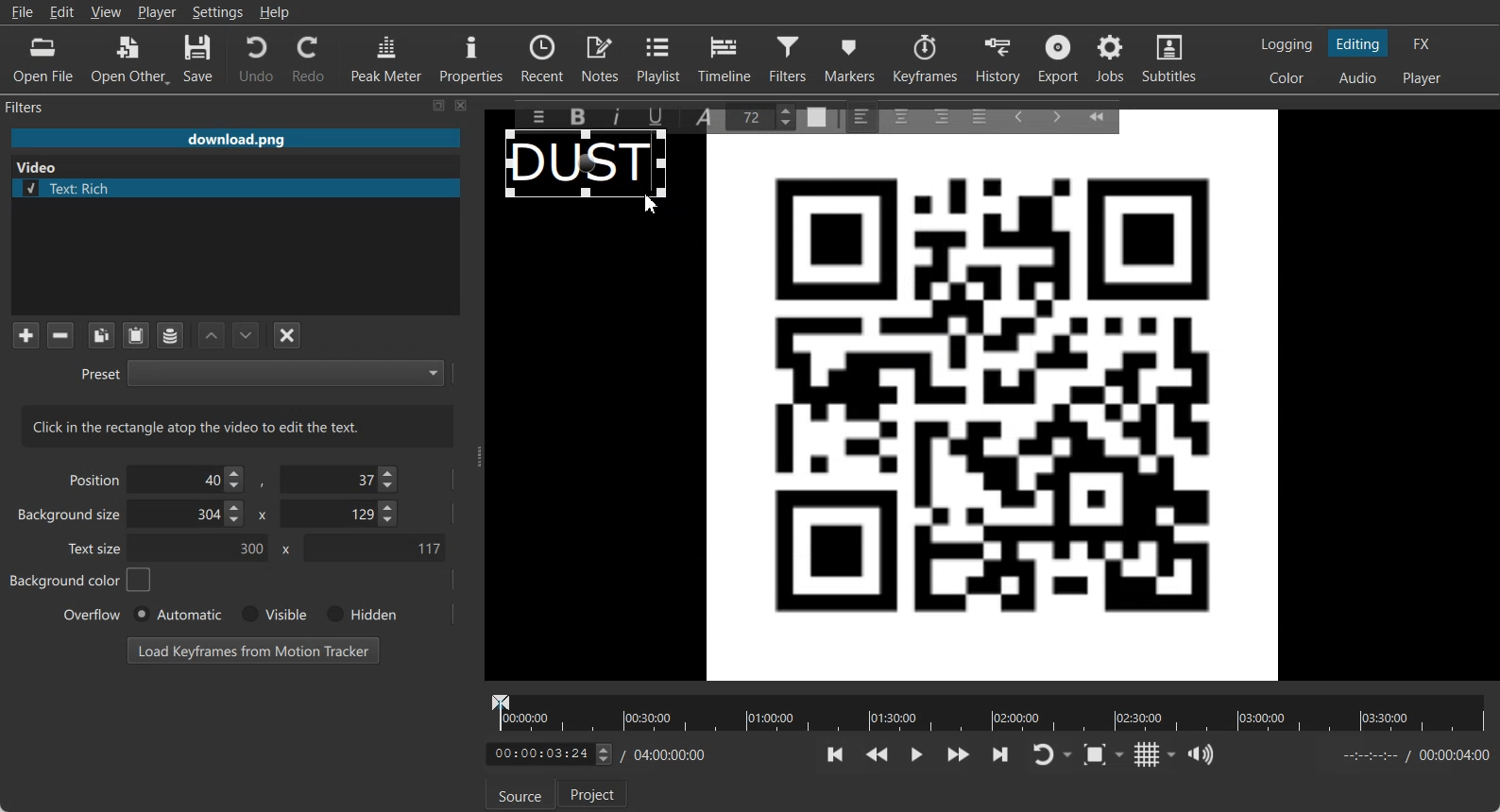  What do you see at coordinates (288, 335) in the screenshot?
I see `Deselect the filter` at bounding box center [288, 335].